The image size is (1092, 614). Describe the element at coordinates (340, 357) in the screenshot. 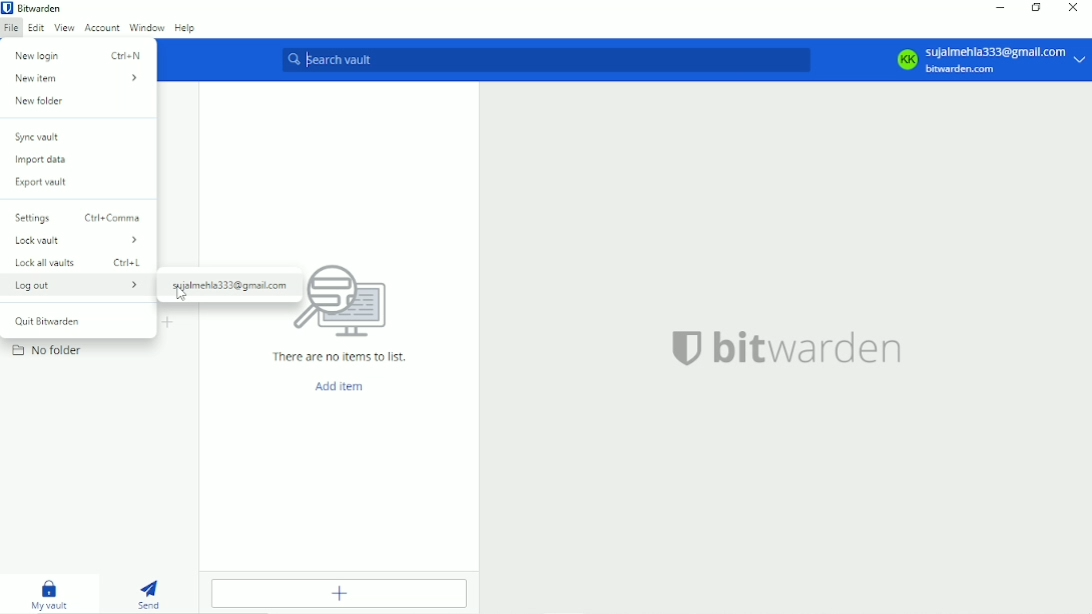

I see `There are no items to list` at that location.